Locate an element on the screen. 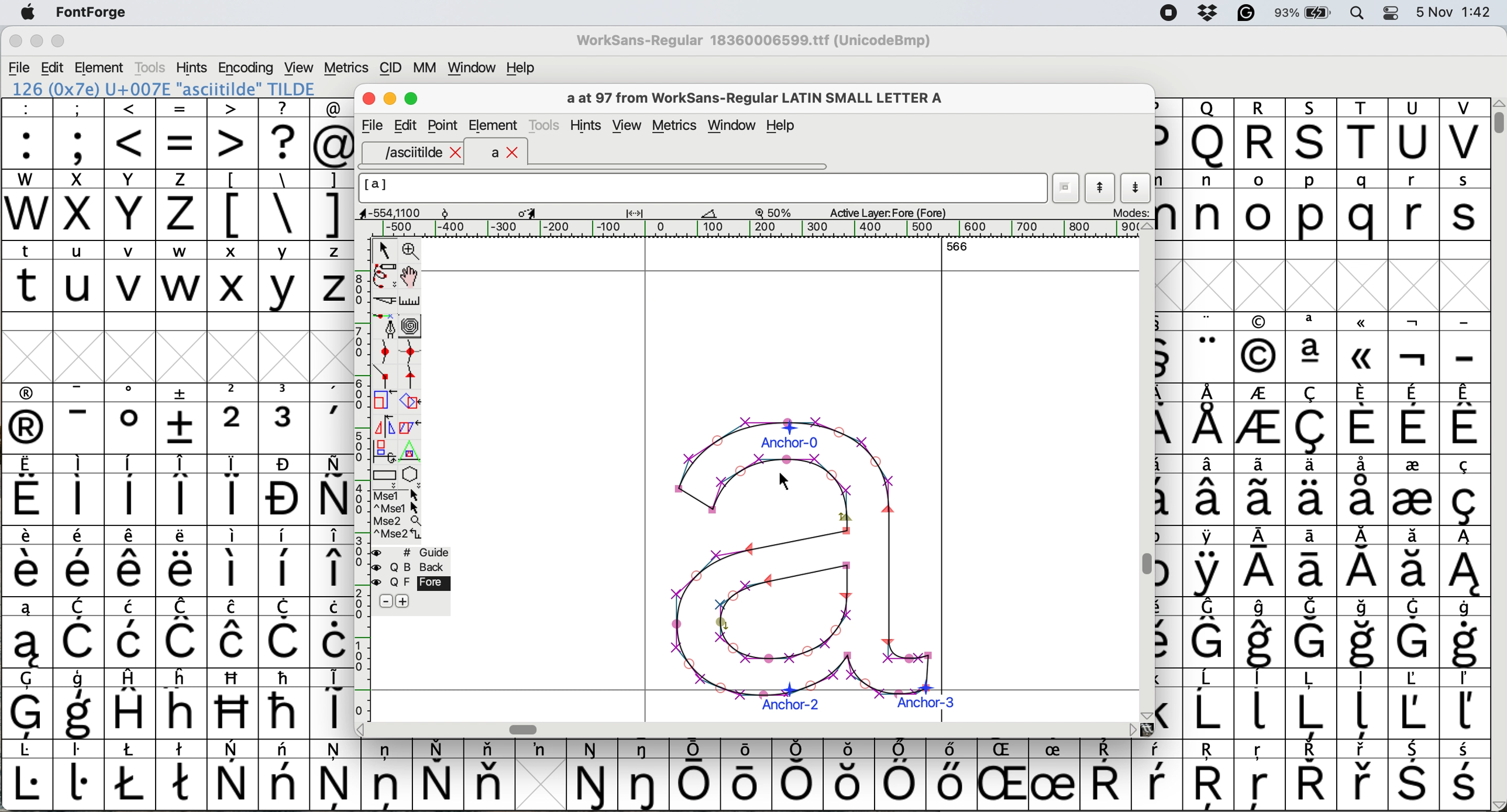  more options is located at coordinates (398, 514).